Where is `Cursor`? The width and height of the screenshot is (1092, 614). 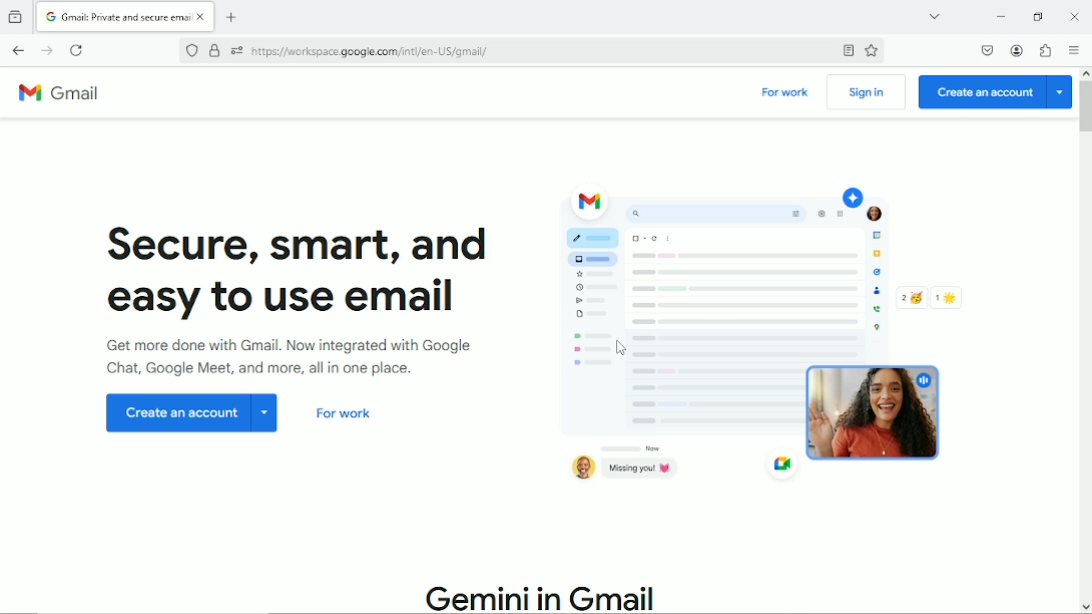 Cursor is located at coordinates (625, 350).